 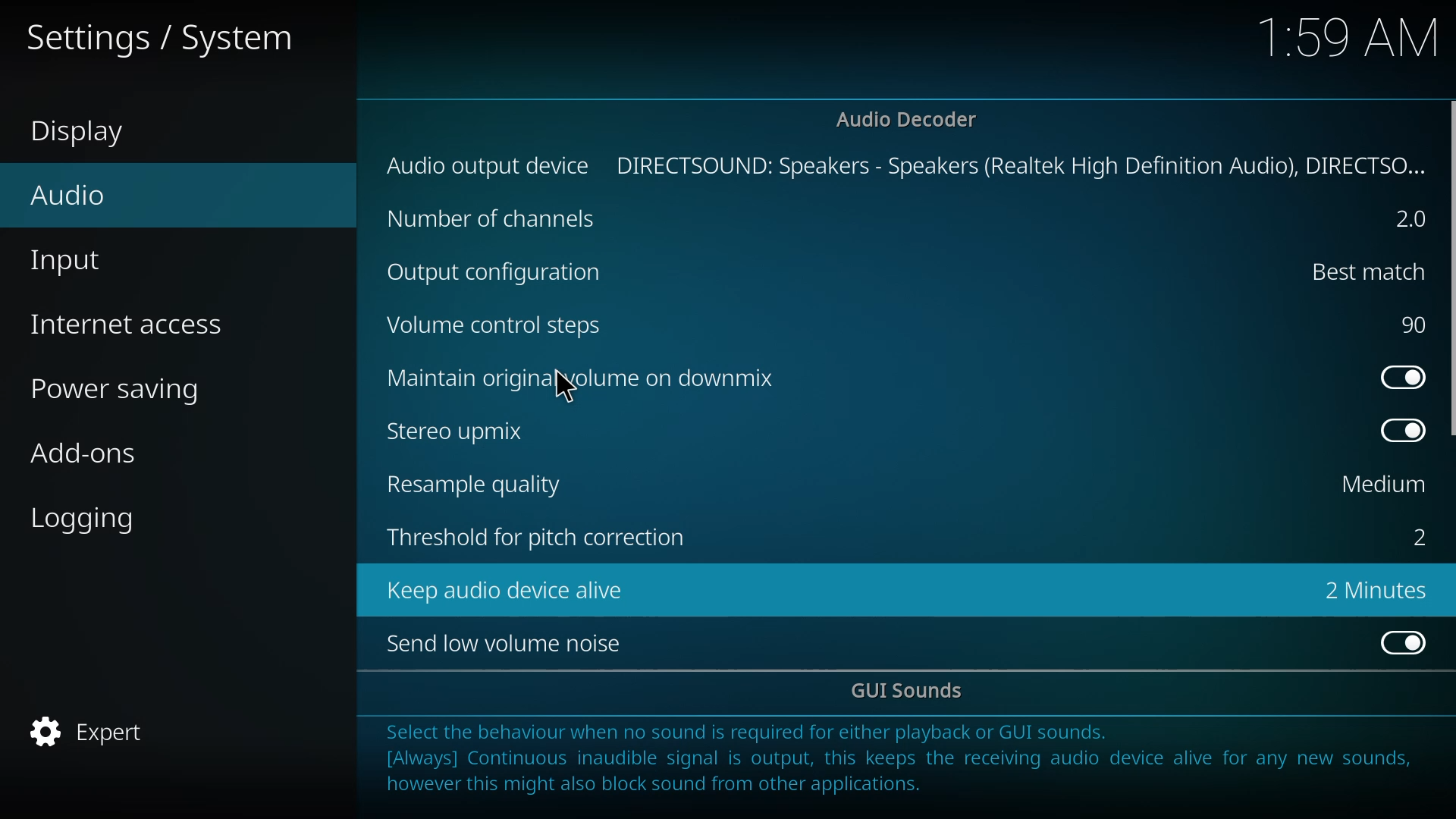 I want to click on volume control steps, so click(x=507, y=328).